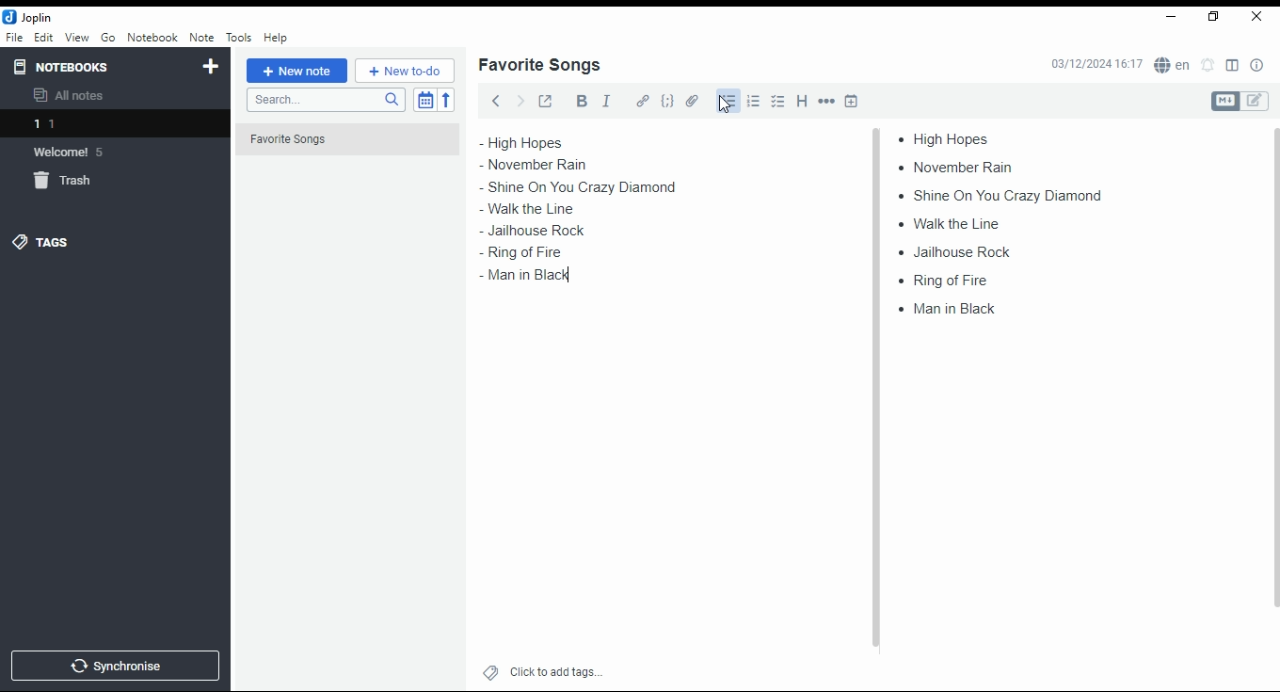 The height and width of the screenshot is (692, 1280). I want to click on code, so click(667, 101).